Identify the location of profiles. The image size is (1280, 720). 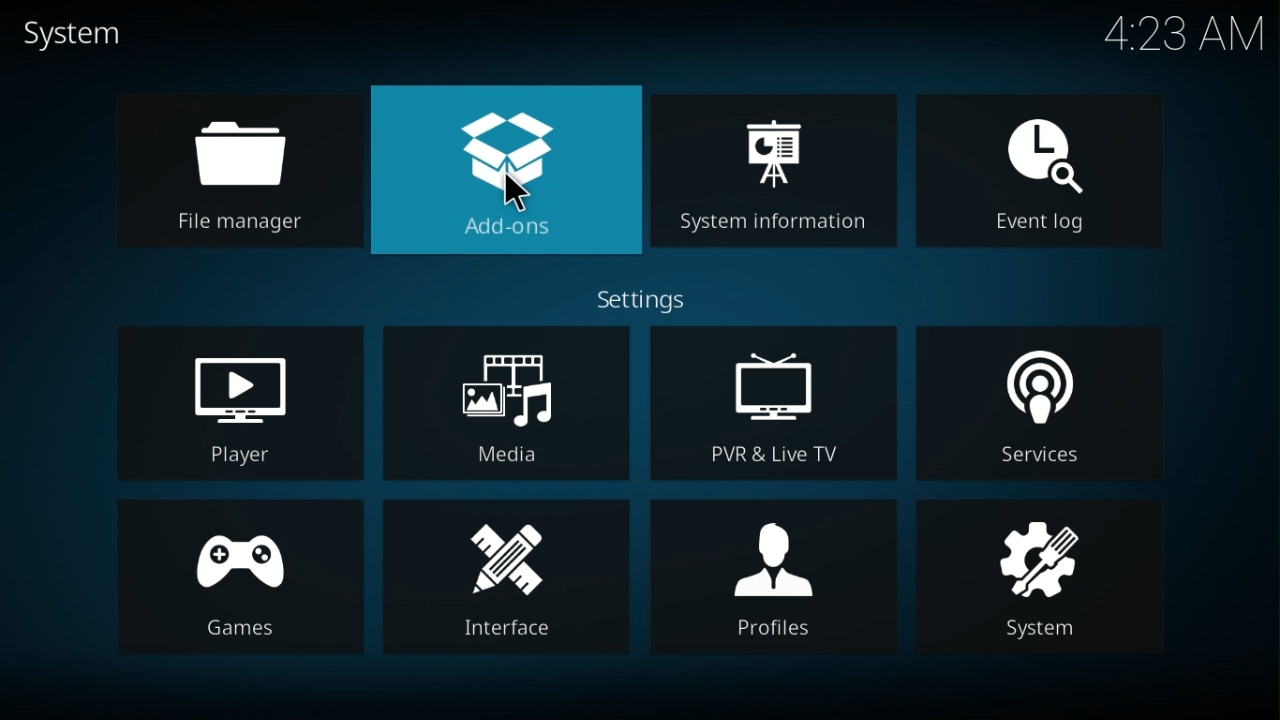
(769, 574).